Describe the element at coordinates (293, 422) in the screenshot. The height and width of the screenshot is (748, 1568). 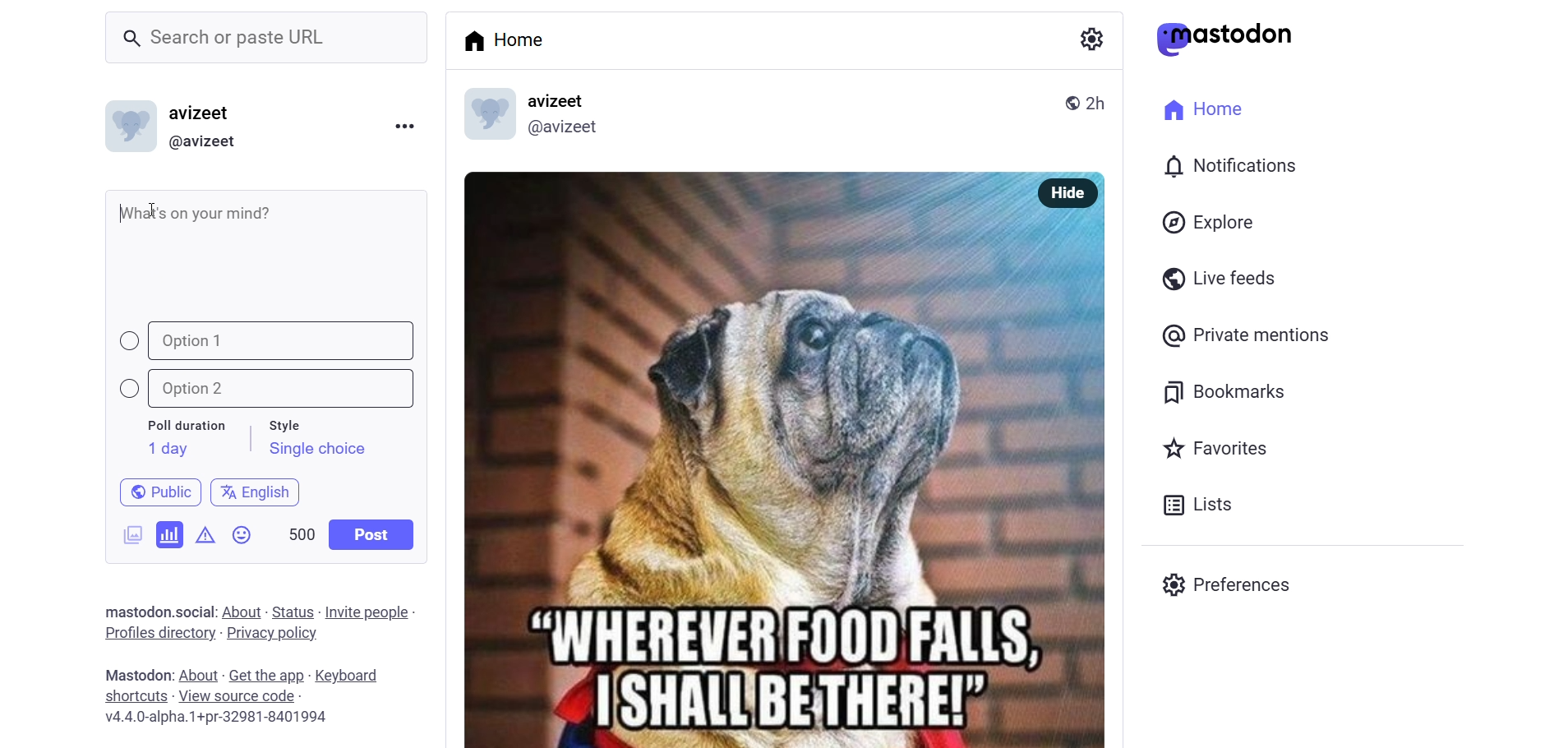
I see `style` at that location.